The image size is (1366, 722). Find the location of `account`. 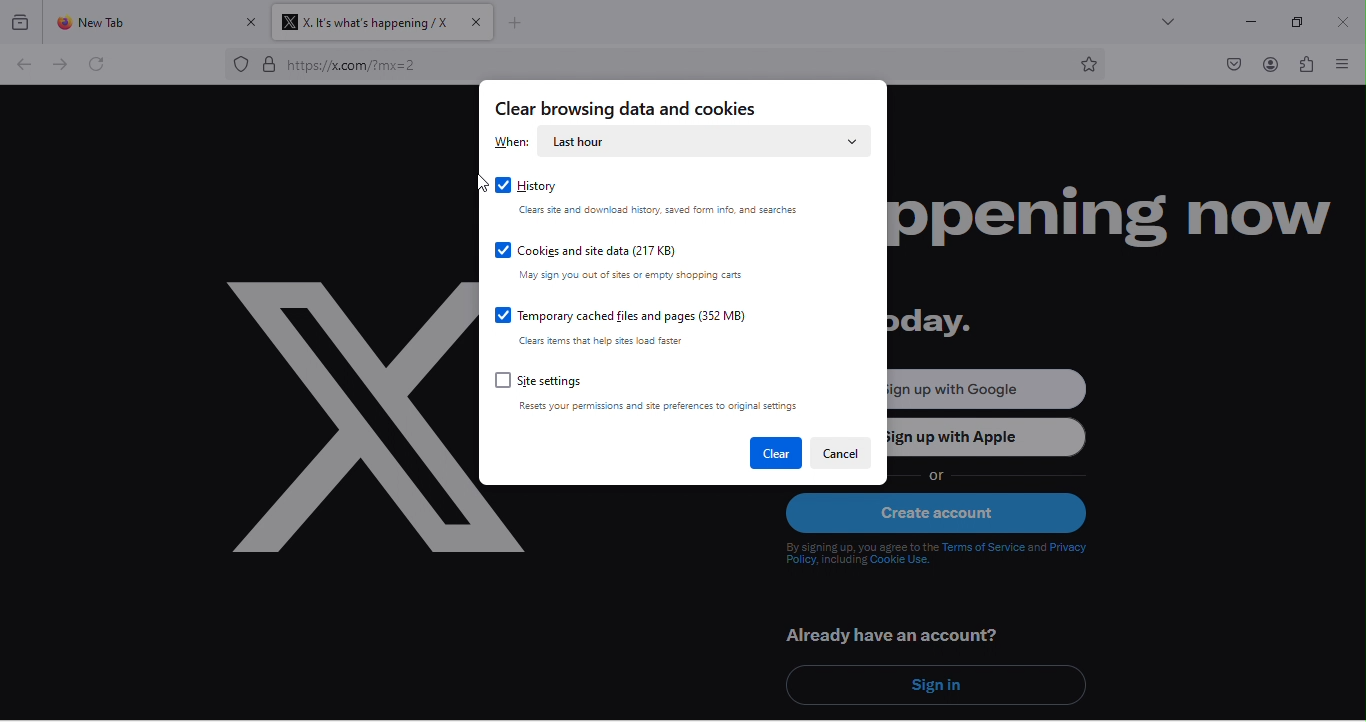

account is located at coordinates (1267, 64).